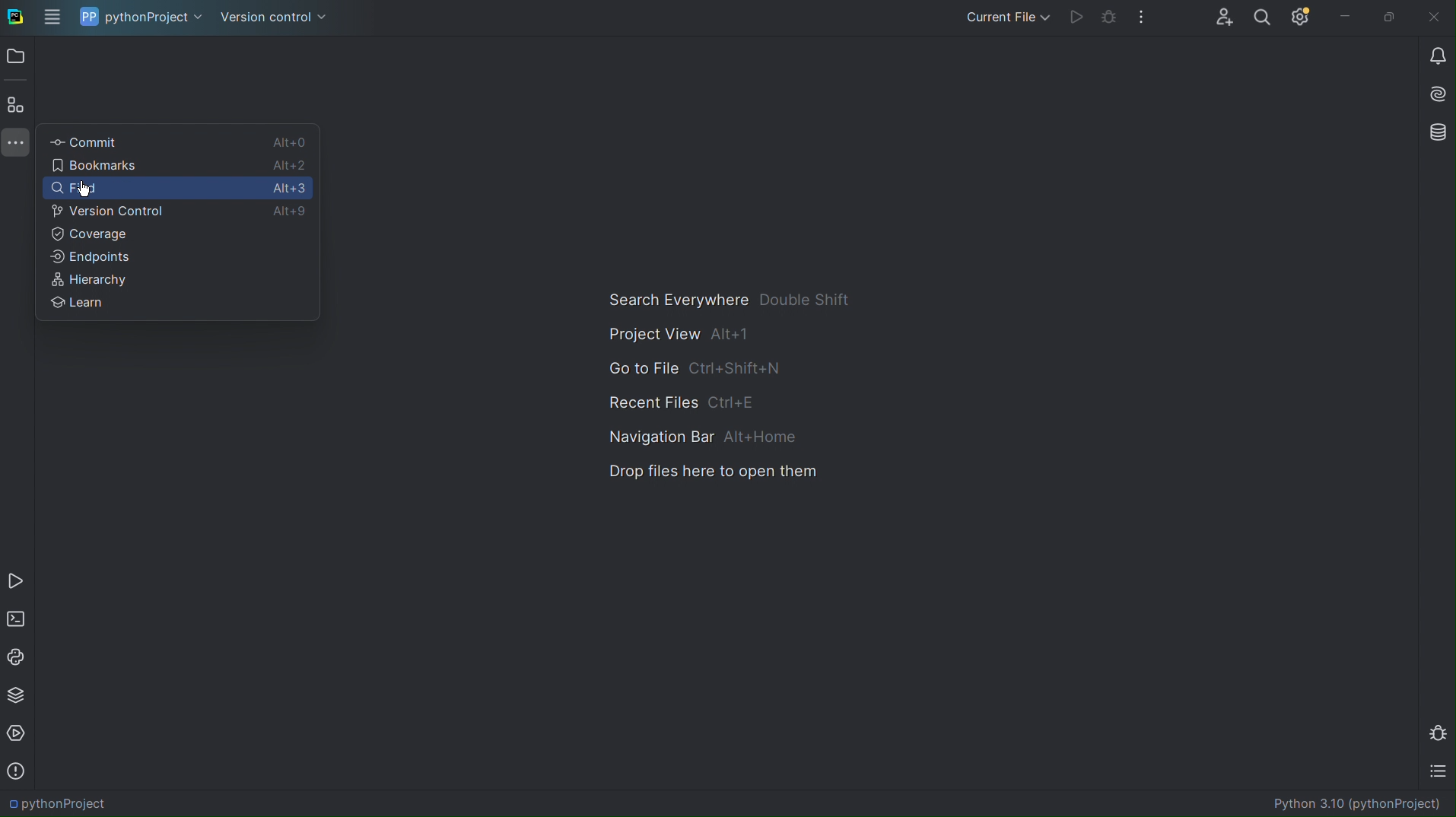 This screenshot has width=1456, height=817. Describe the element at coordinates (291, 186) in the screenshot. I see `Alt+3` at that location.